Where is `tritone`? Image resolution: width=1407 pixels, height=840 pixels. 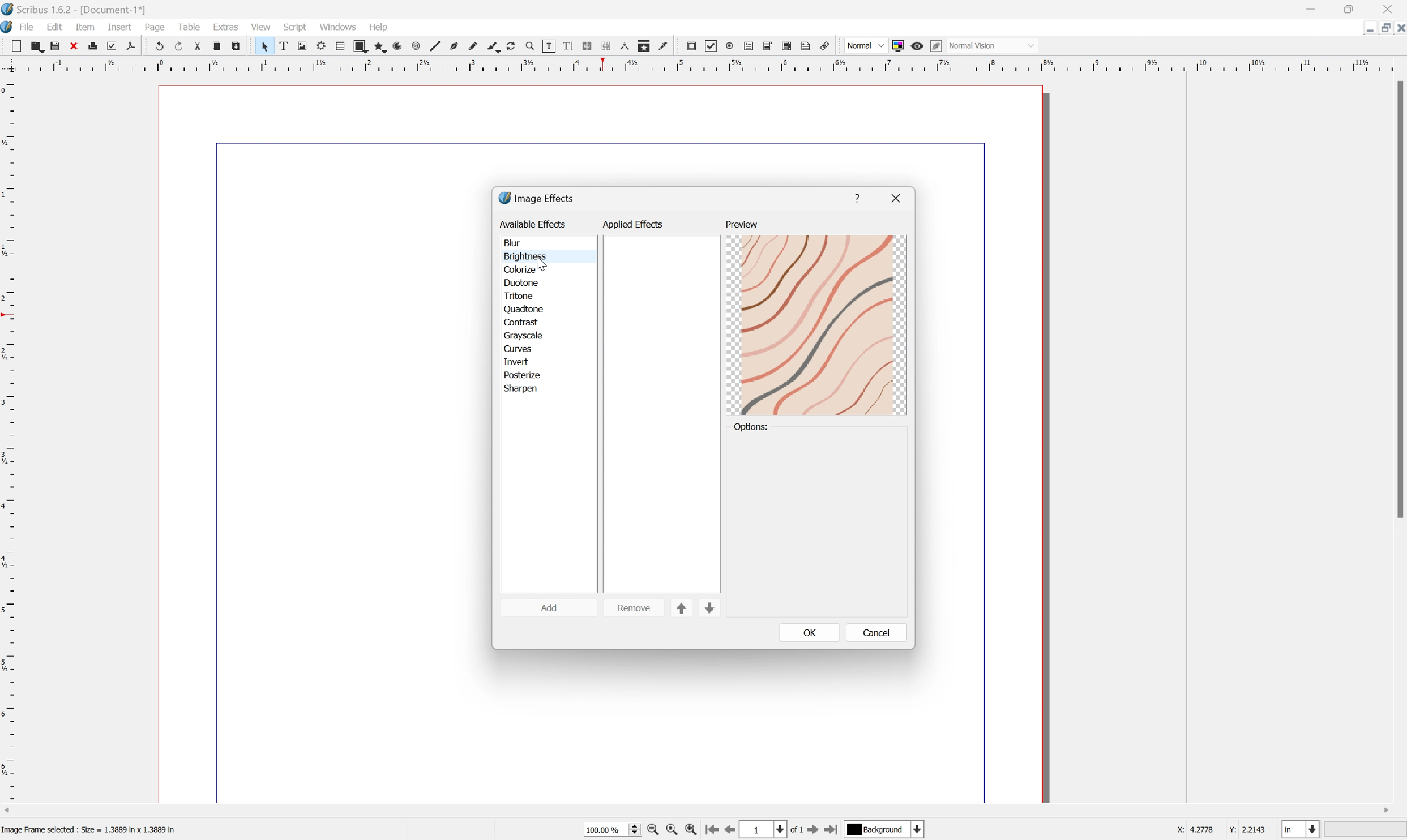
tritone is located at coordinates (521, 294).